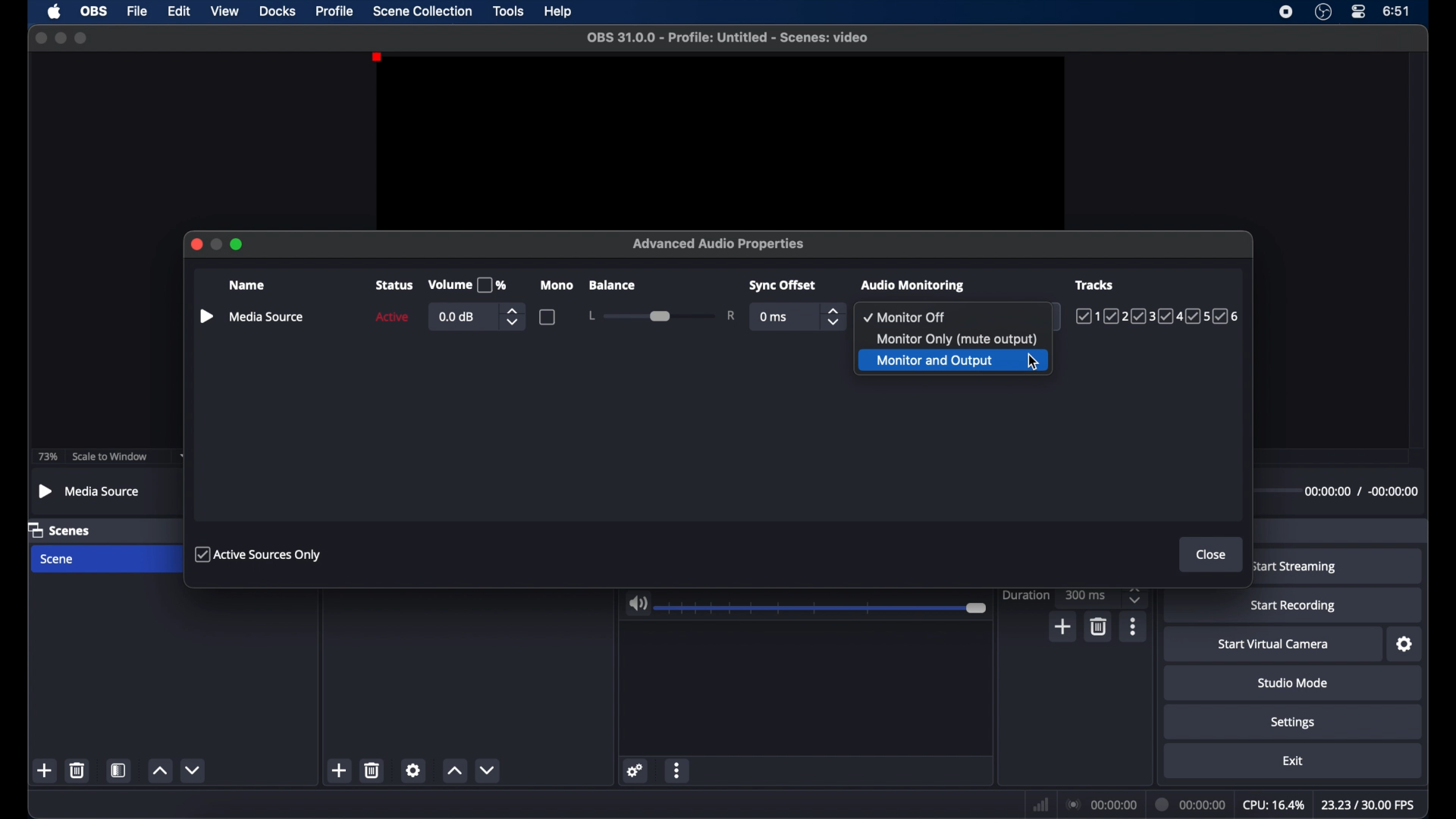  I want to click on scene filters, so click(120, 770).